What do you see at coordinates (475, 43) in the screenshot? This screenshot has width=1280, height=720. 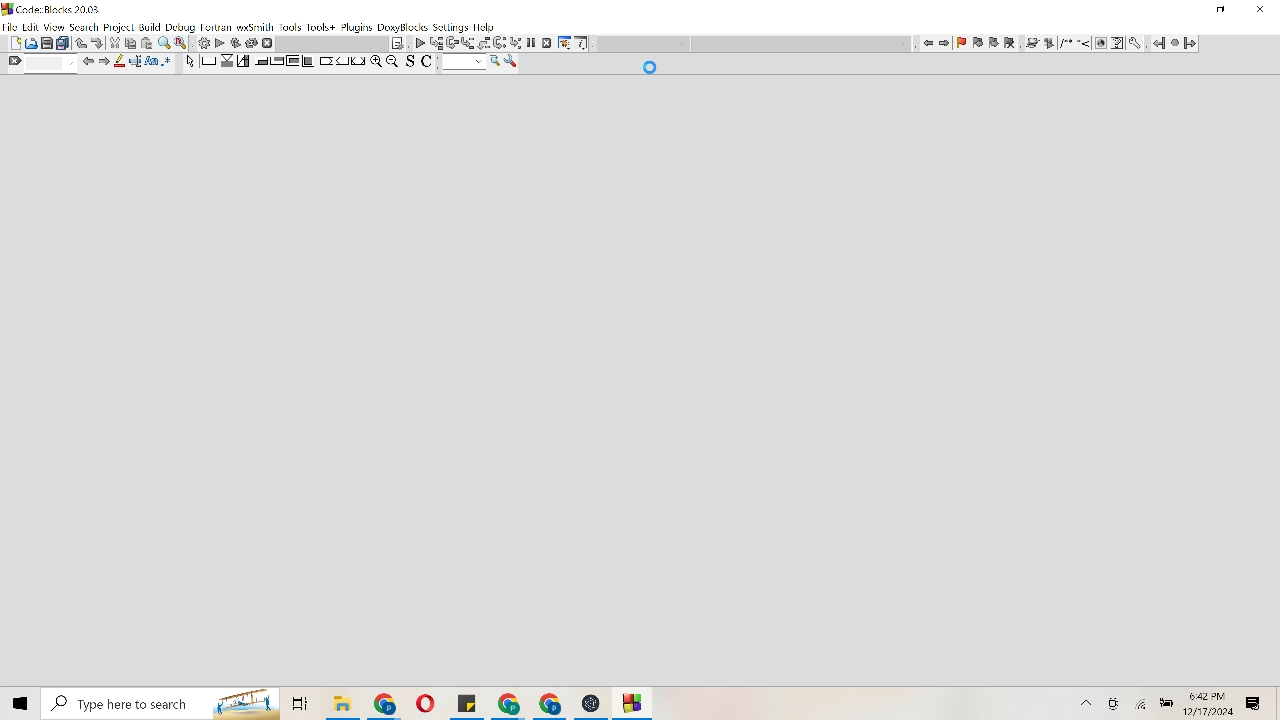 I see `List` at bounding box center [475, 43].